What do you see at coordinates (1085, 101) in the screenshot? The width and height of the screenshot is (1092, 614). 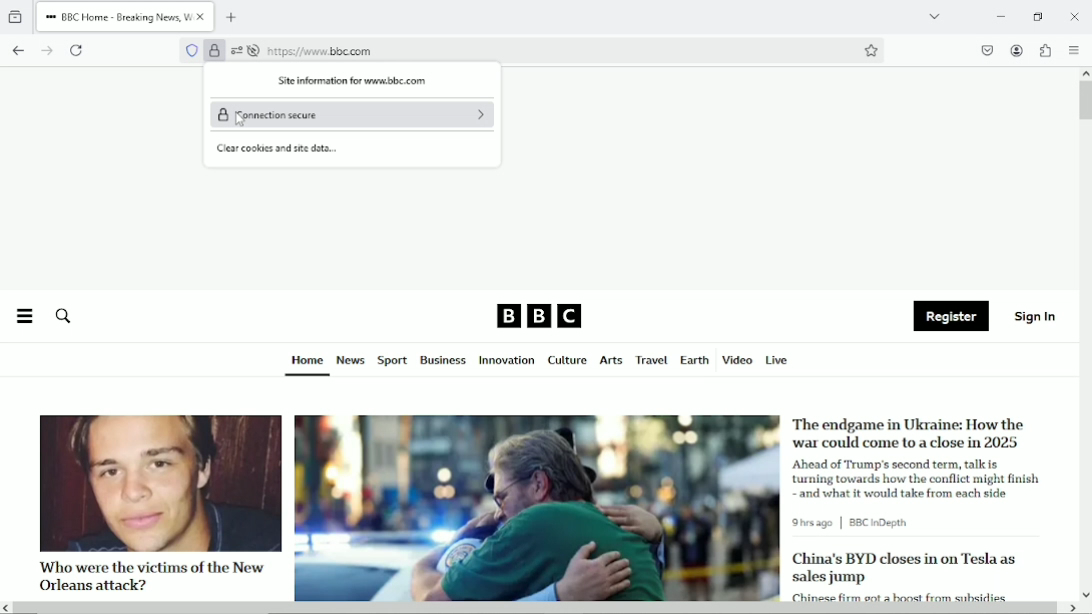 I see `Vertical scrollbar` at bounding box center [1085, 101].